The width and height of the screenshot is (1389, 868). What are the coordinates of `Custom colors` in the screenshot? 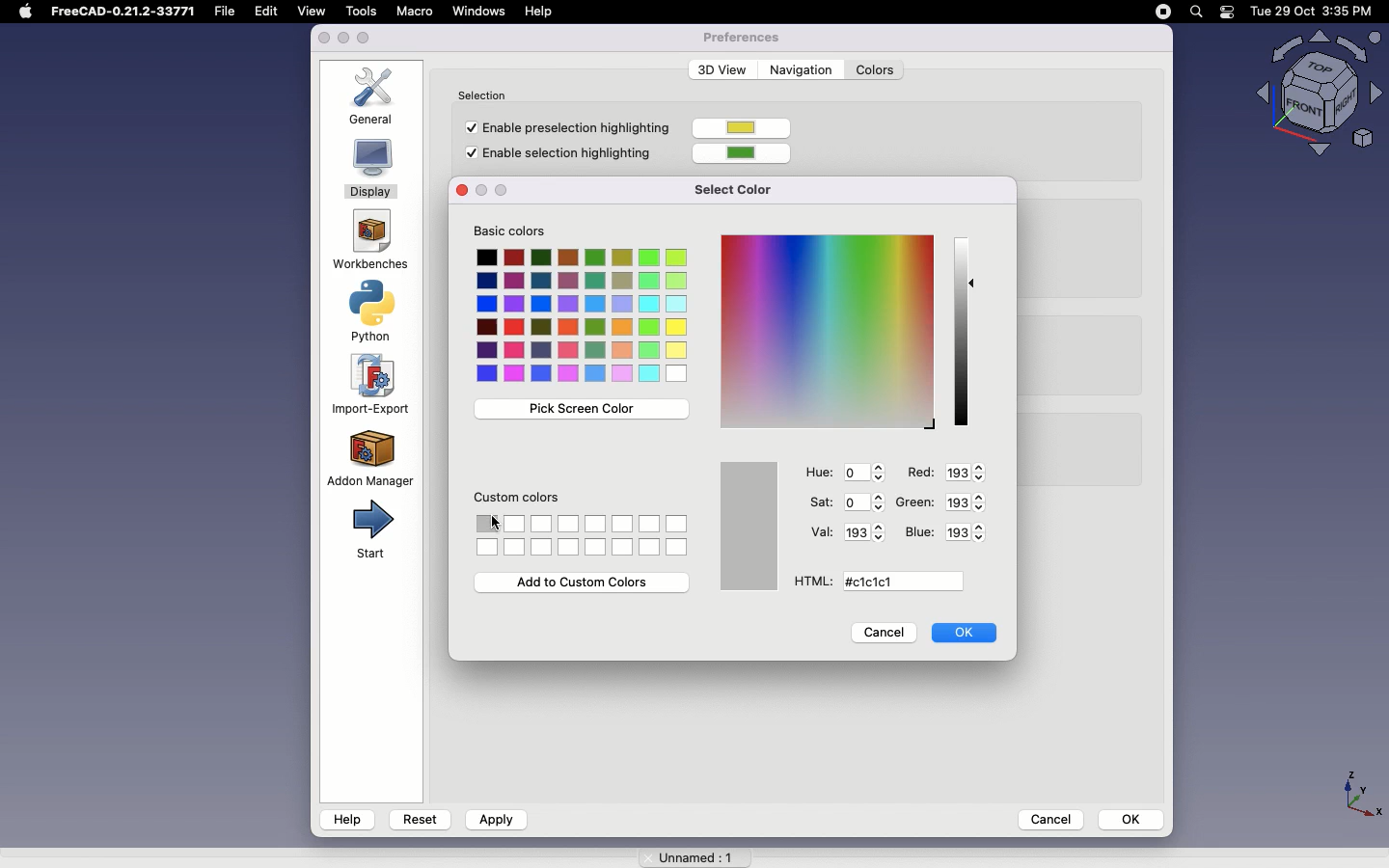 It's located at (519, 501).